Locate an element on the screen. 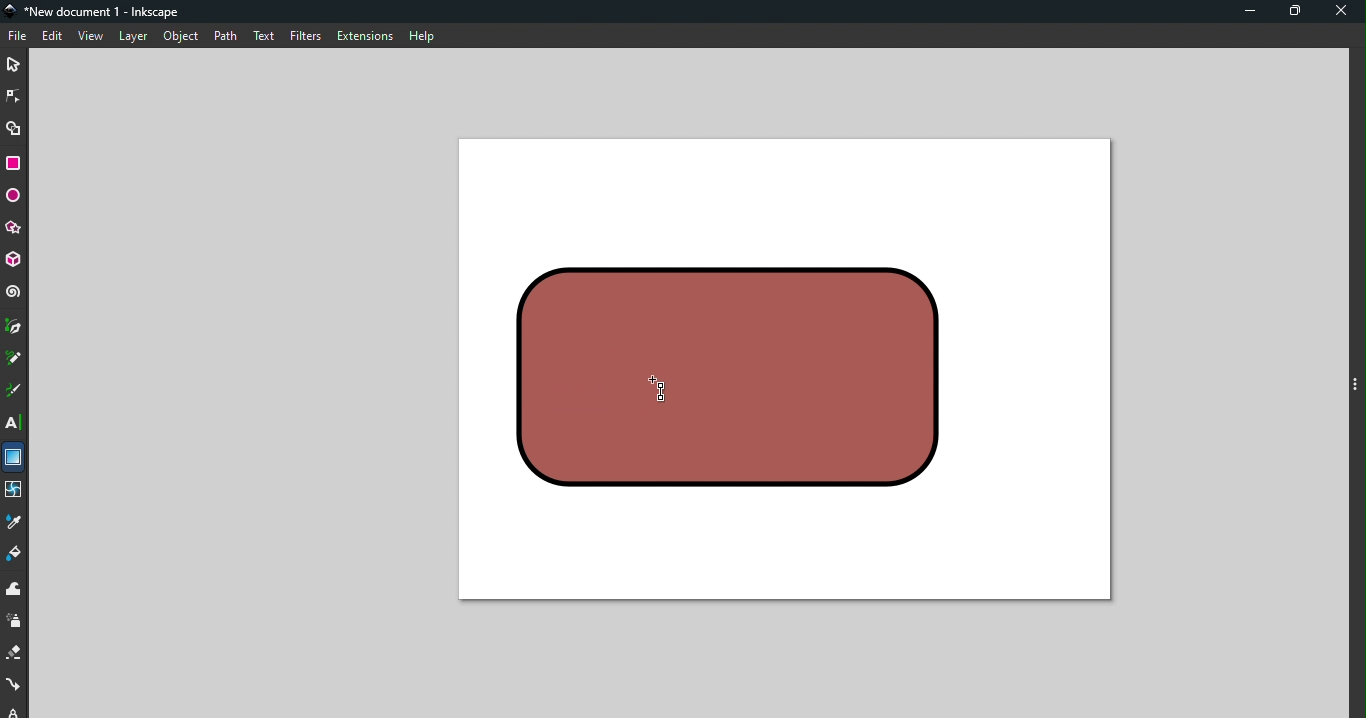 The width and height of the screenshot is (1366, 718). Selector tool is located at coordinates (14, 62).